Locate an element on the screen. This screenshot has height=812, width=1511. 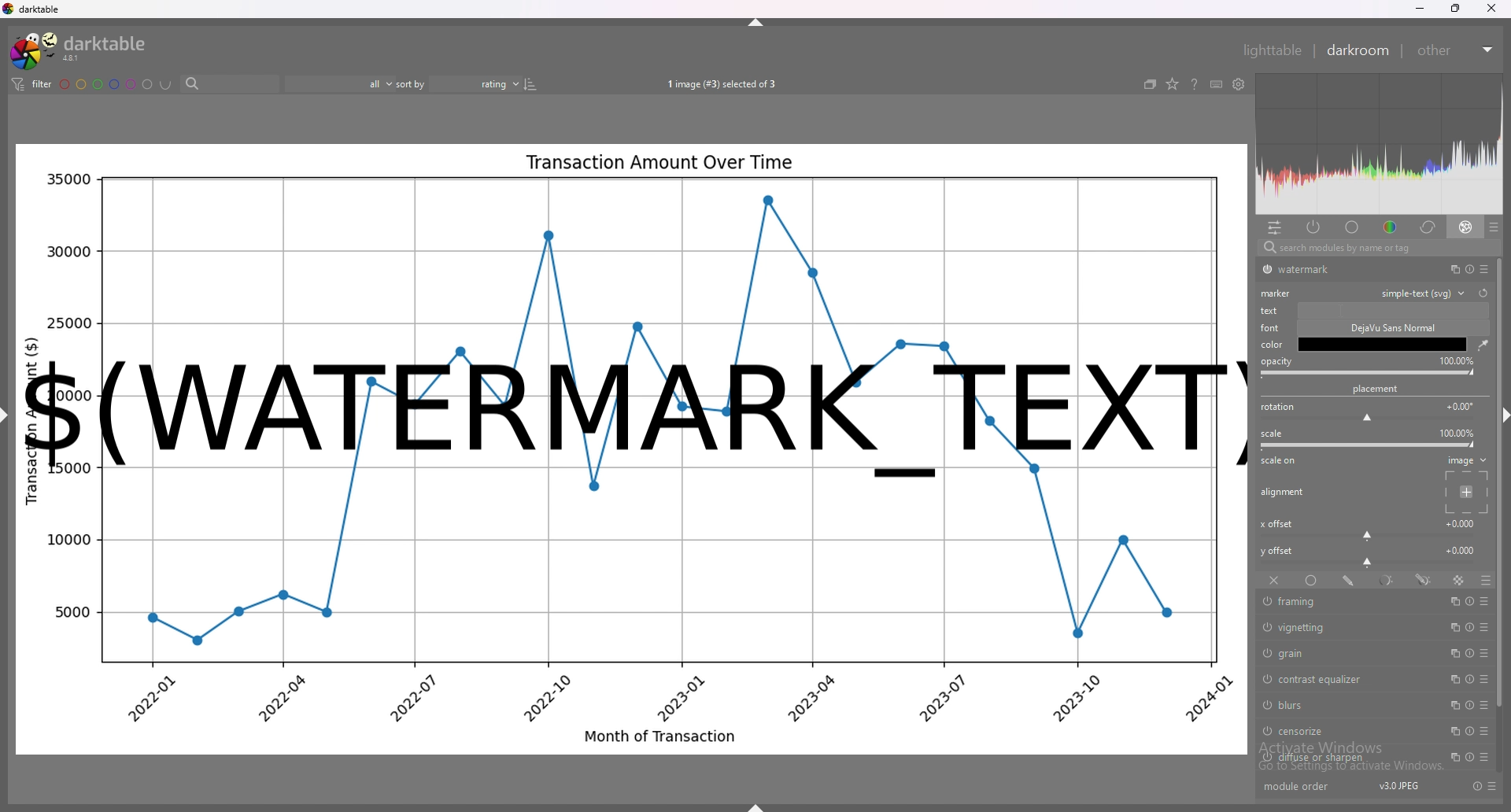
reset is located at coordinates (1469, 653).